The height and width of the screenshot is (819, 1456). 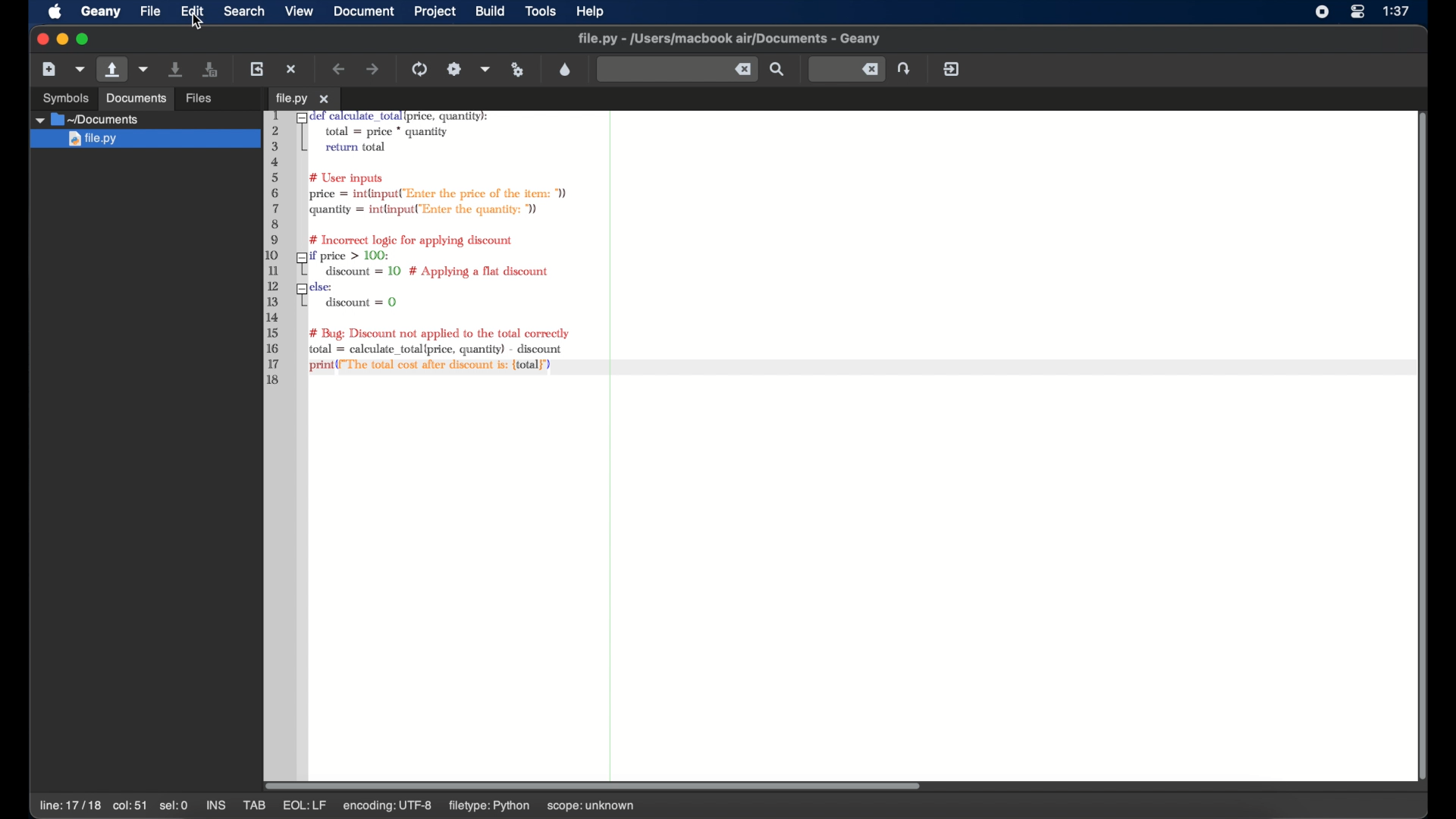 I want to click on create file from template, so click(x=80, y=69).